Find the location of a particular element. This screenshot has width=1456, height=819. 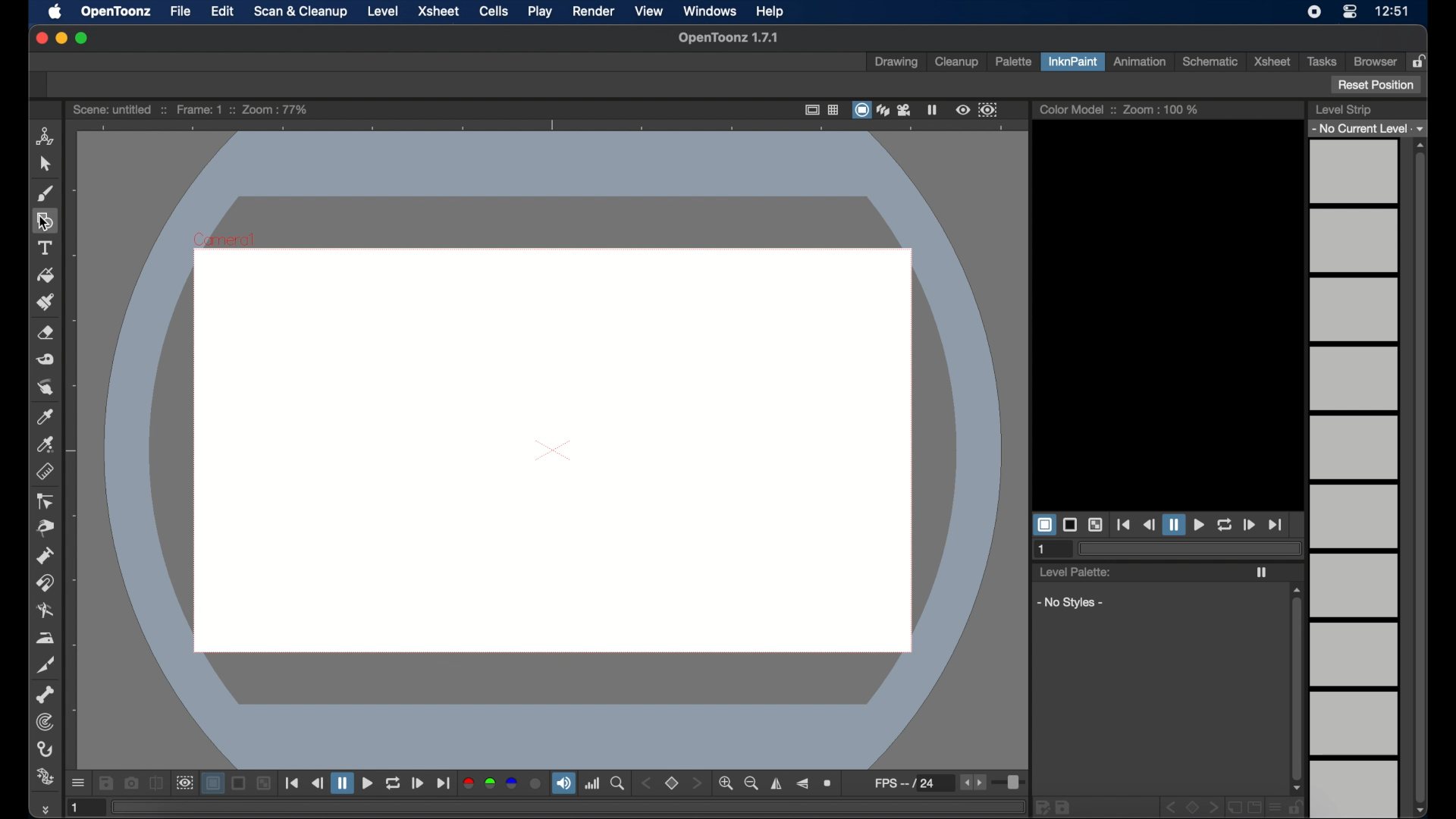

12:51 is located at coordinates (1394, 11).